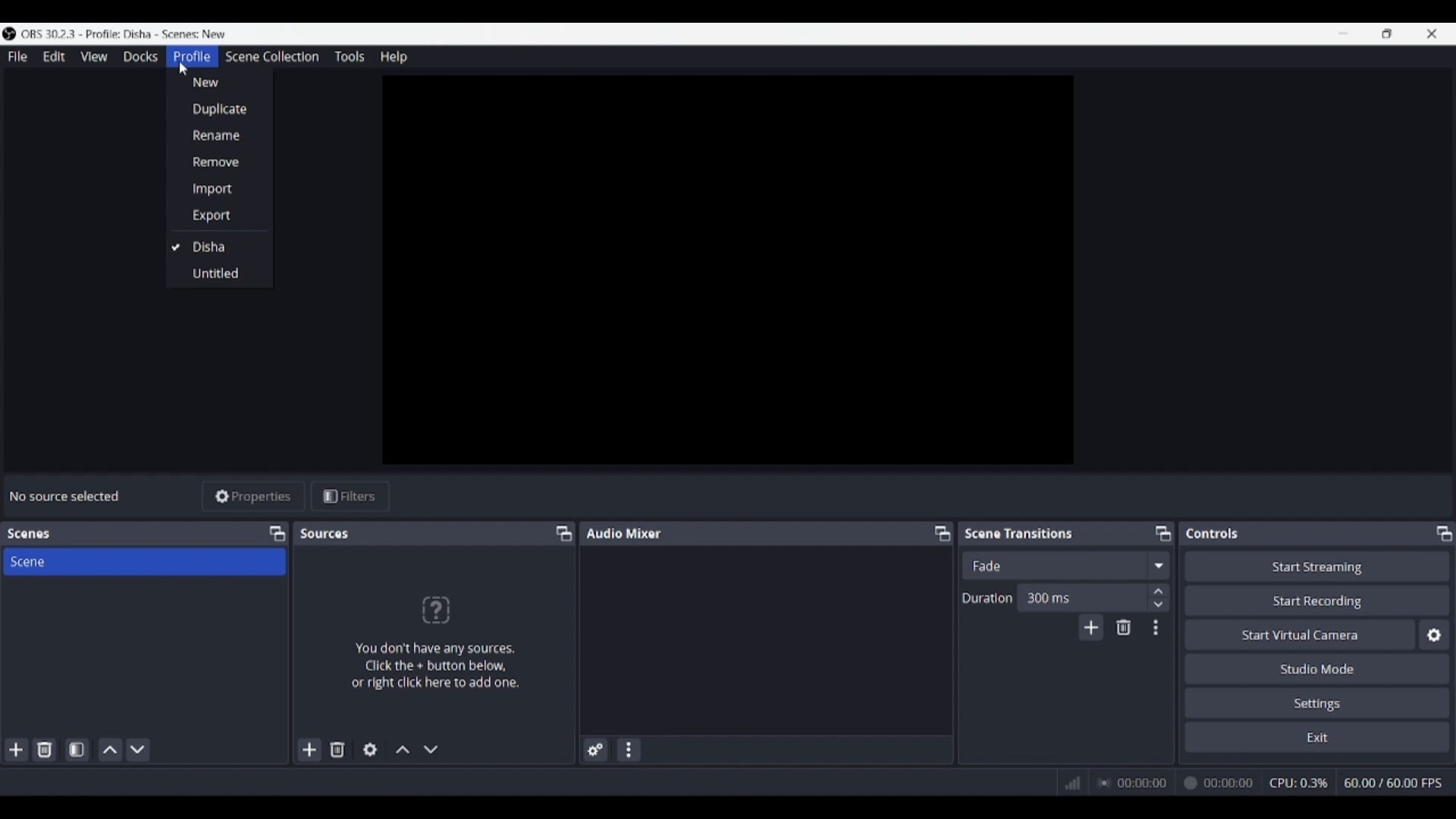 The height and width of the screenshot is (819, 1456). What do you see at coordinates (1318, 702) in the screenshot?
I see `Settings` at bounding box center [1318, 702].